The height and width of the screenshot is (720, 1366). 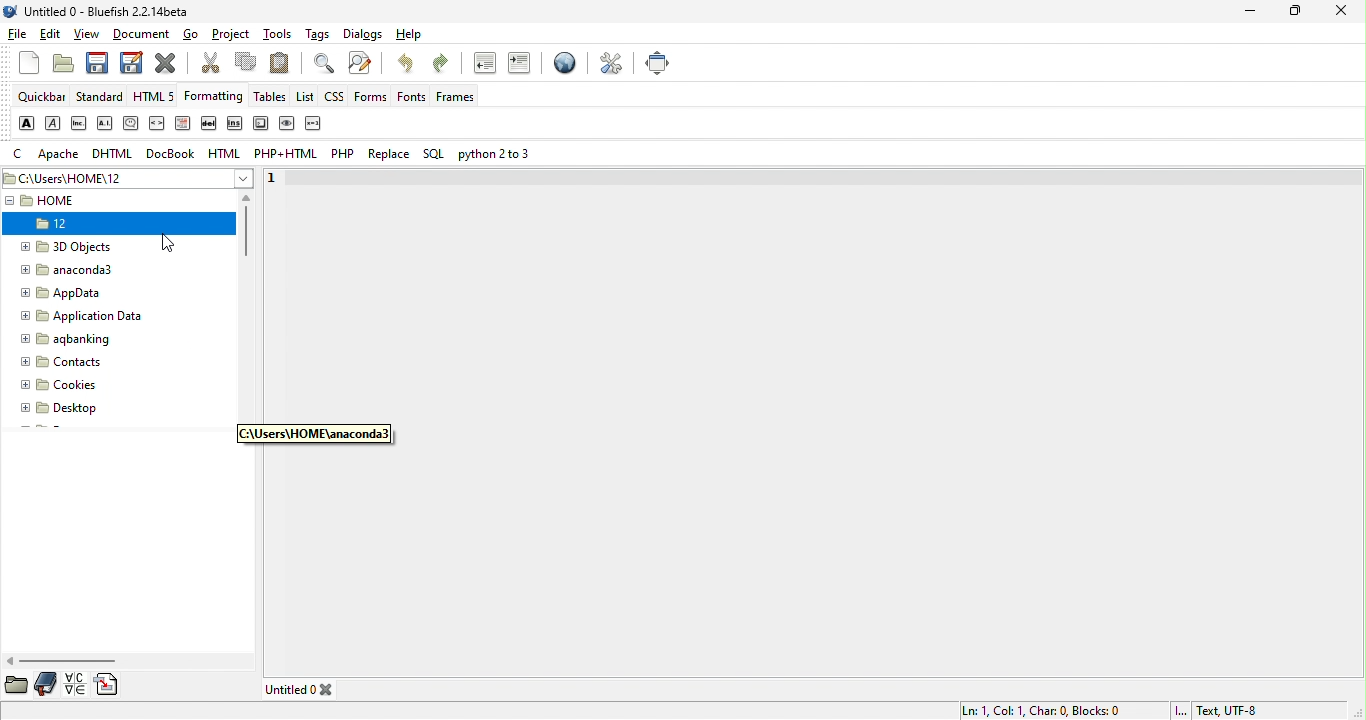 What do you see at coordinates (271, 98) in the screenshot?
I see `tables` at bounding box center [271, 98].